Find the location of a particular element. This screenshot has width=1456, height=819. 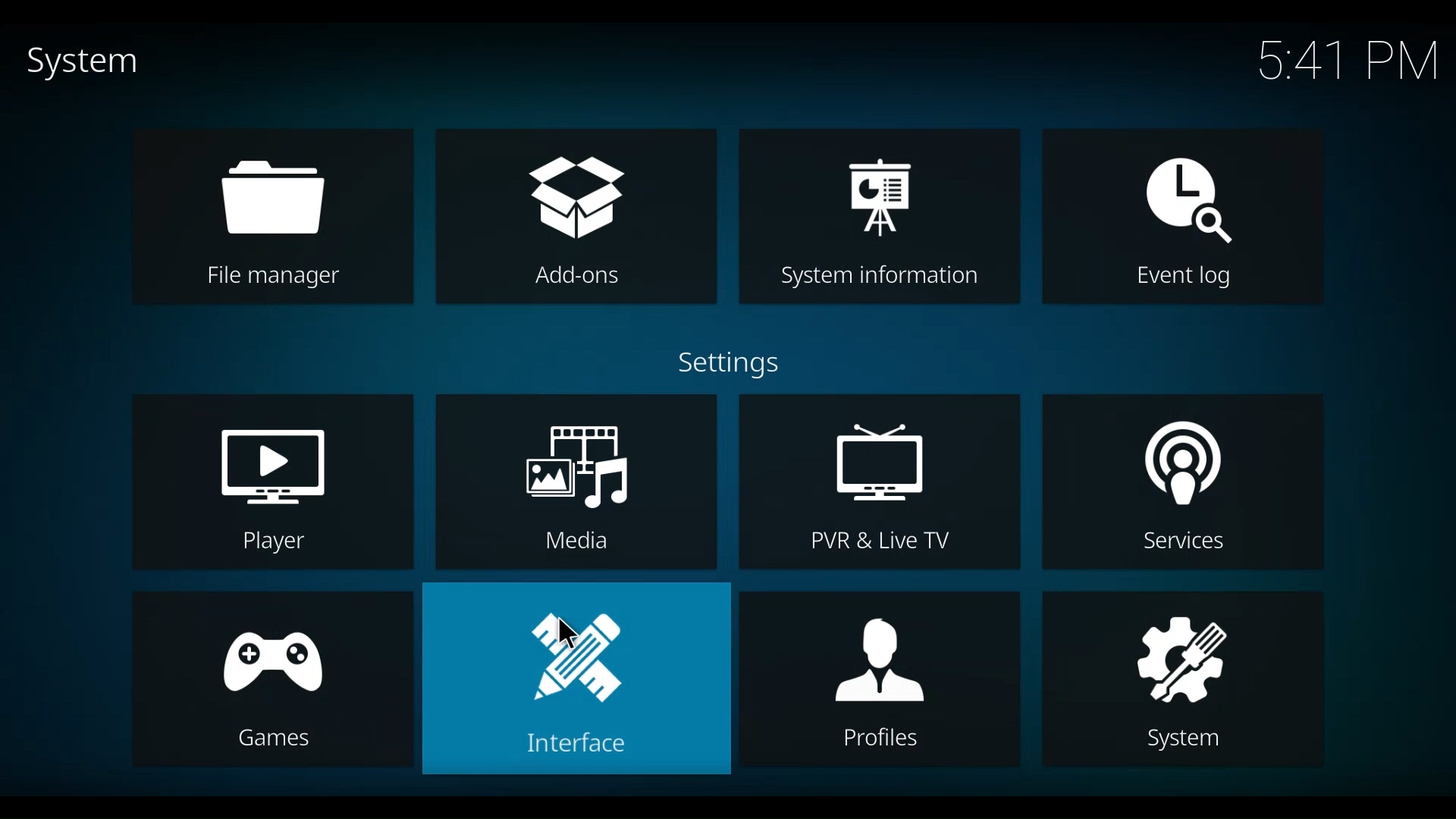

System is located at coordinates (80, 63).